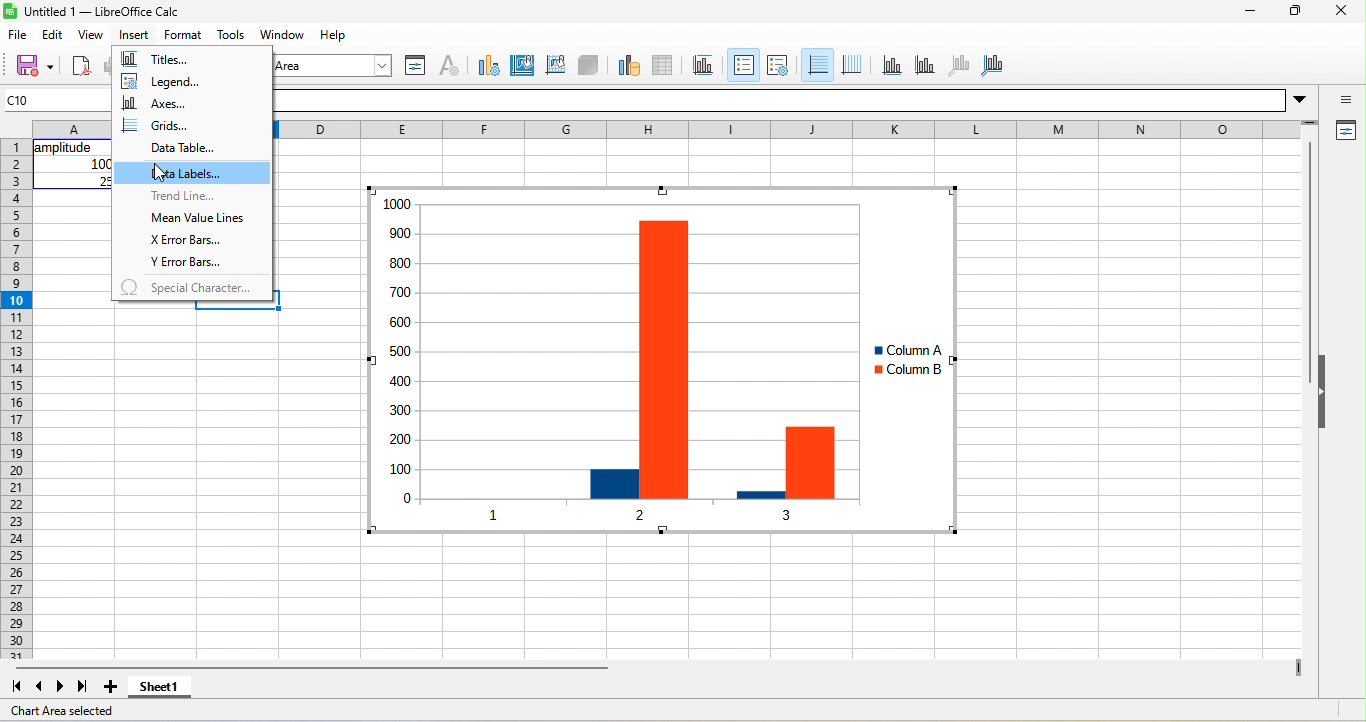 The height and width of the screenshot is (722, 1366). What do you see at coordinates (231, 35) in the screenshot?
I see `tools` at bounding box center [231, 35].